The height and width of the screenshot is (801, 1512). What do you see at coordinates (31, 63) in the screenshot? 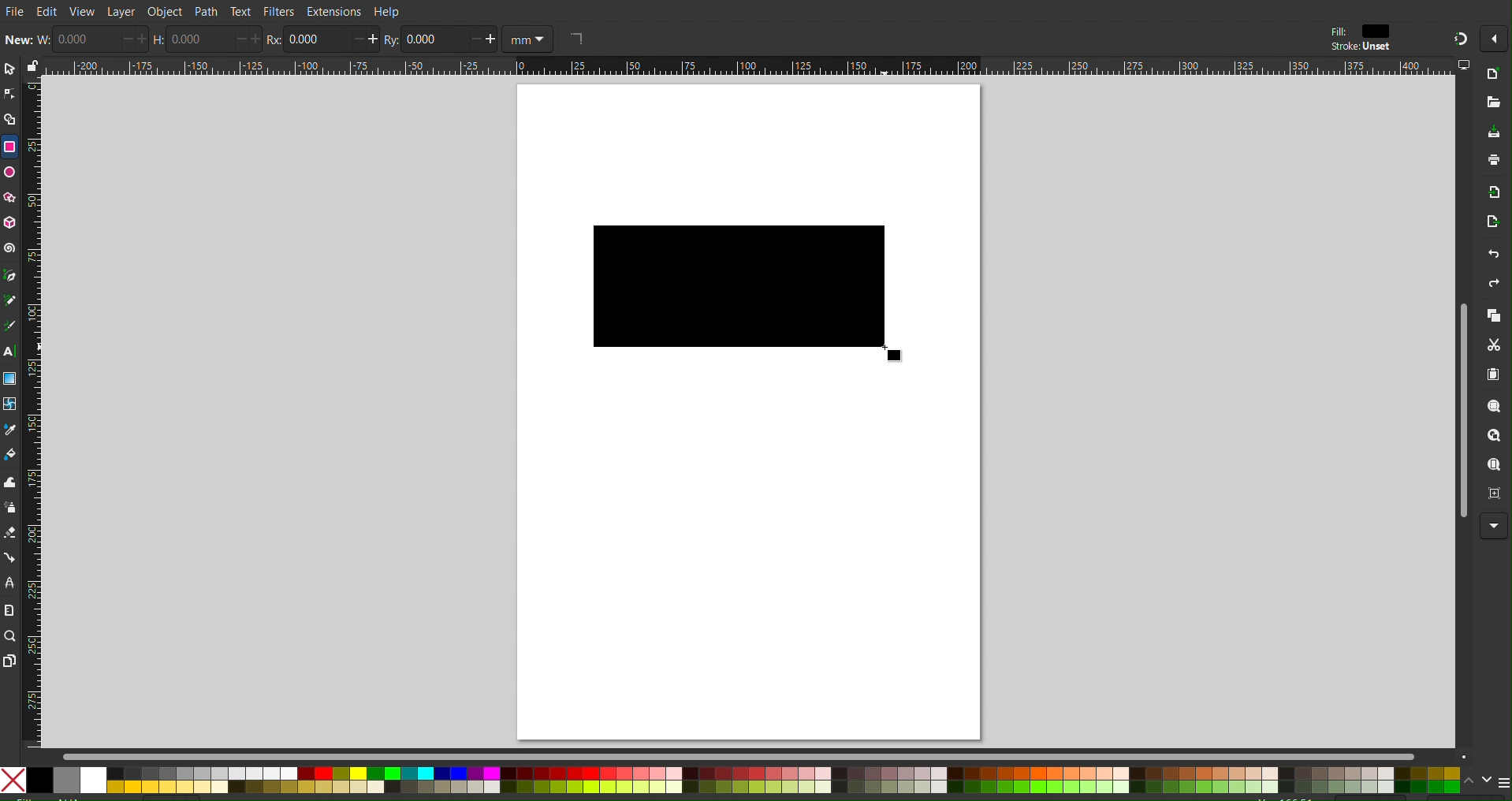
I see `lock` at bounding box center [31, 63].